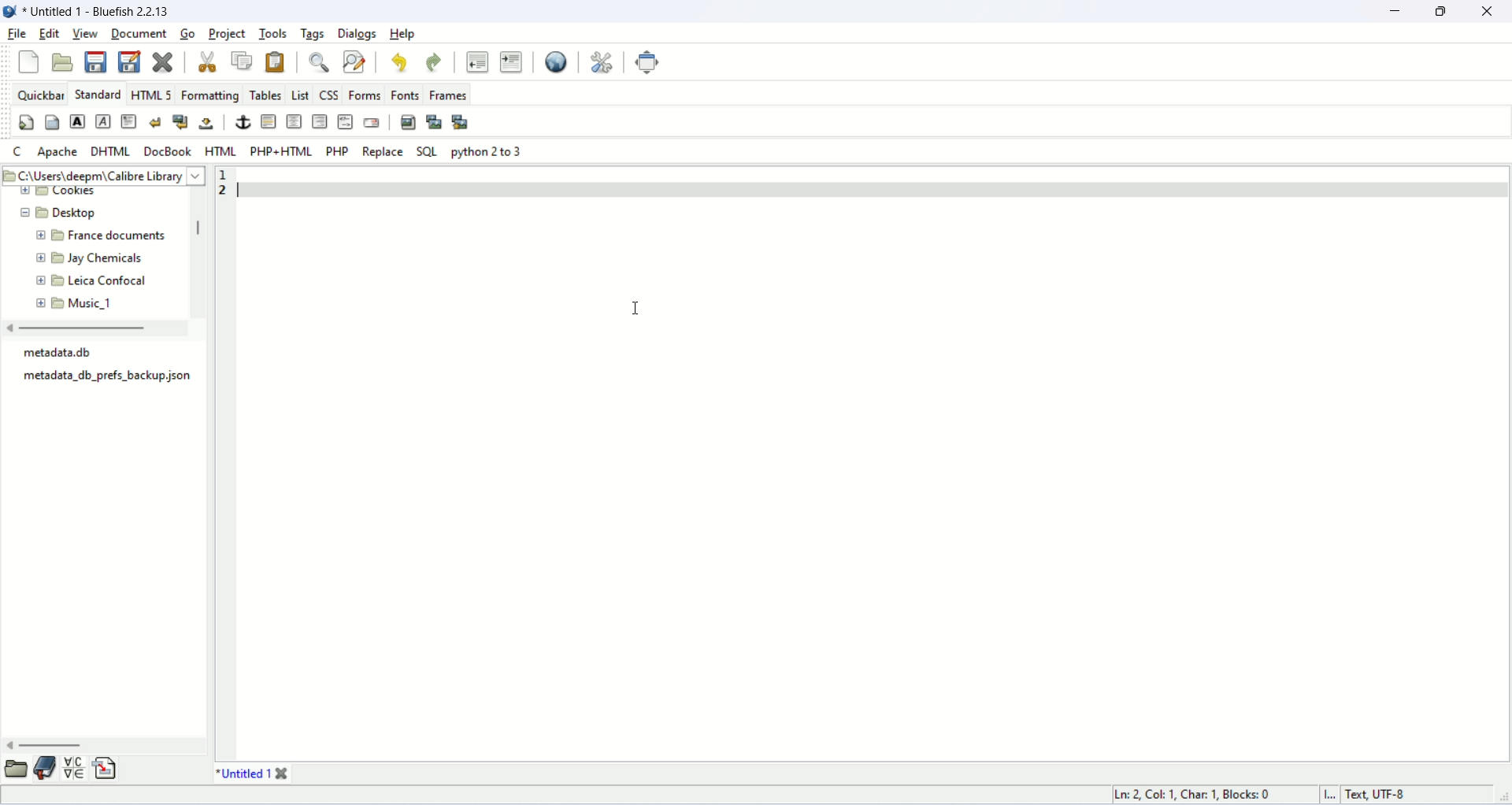  What do you see at coordinates (46, 770) in the screenshot?
I see `bookmarks` at bounding box center [46, 770].